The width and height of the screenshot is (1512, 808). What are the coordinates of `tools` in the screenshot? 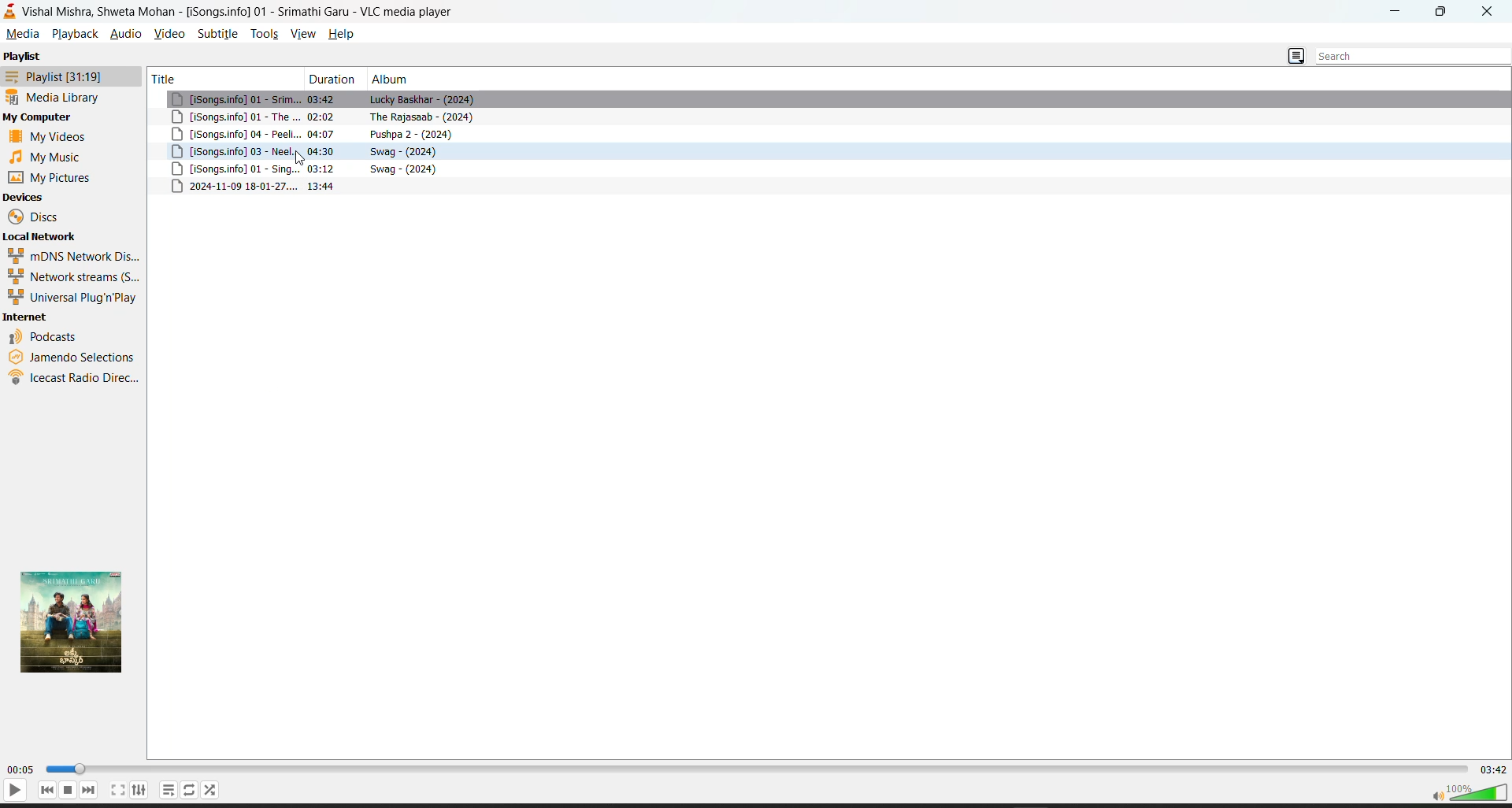 It's located at (265, 33).